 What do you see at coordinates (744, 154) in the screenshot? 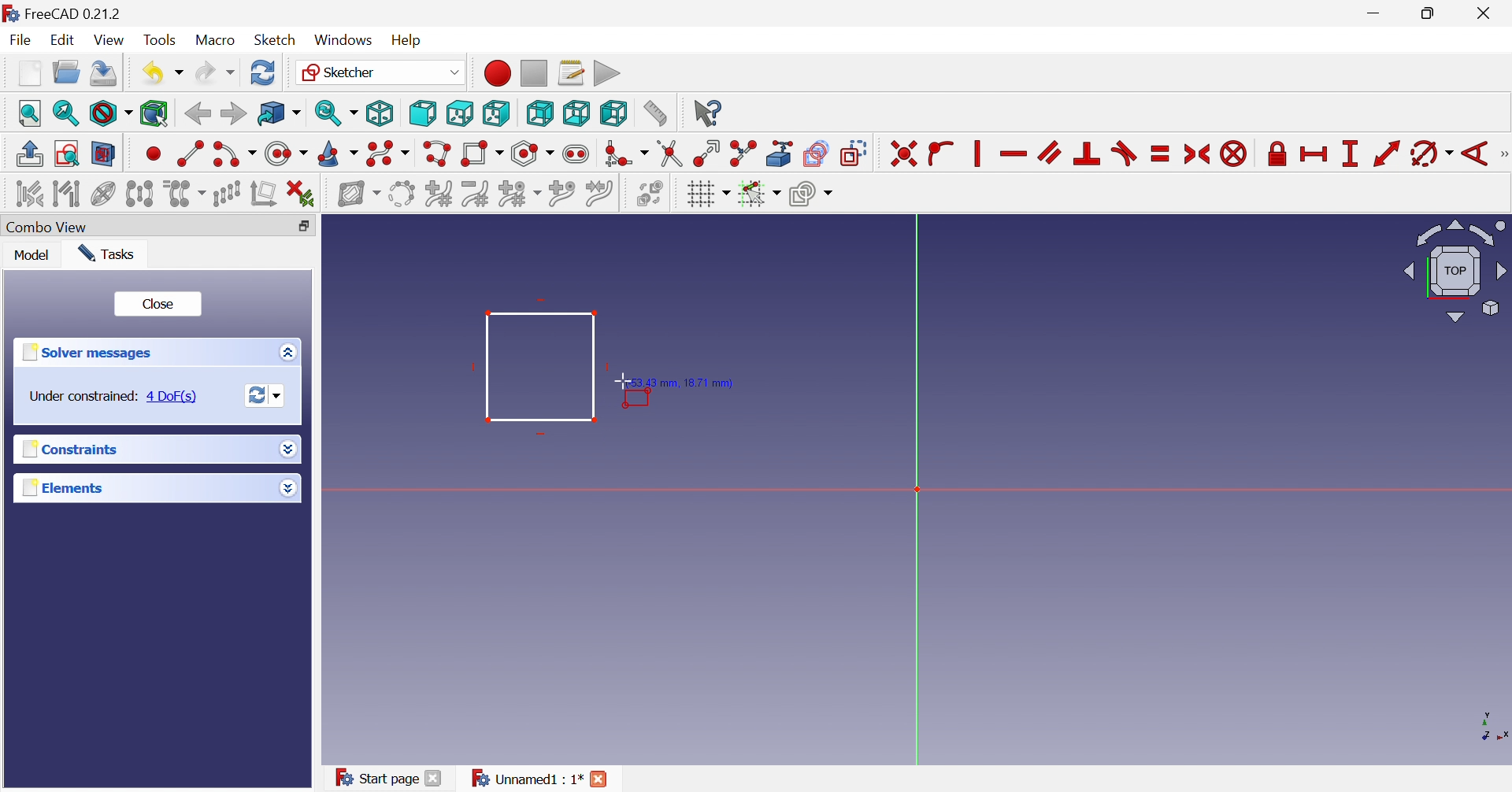
I see `Split edge` at bounding box center [744, 154].